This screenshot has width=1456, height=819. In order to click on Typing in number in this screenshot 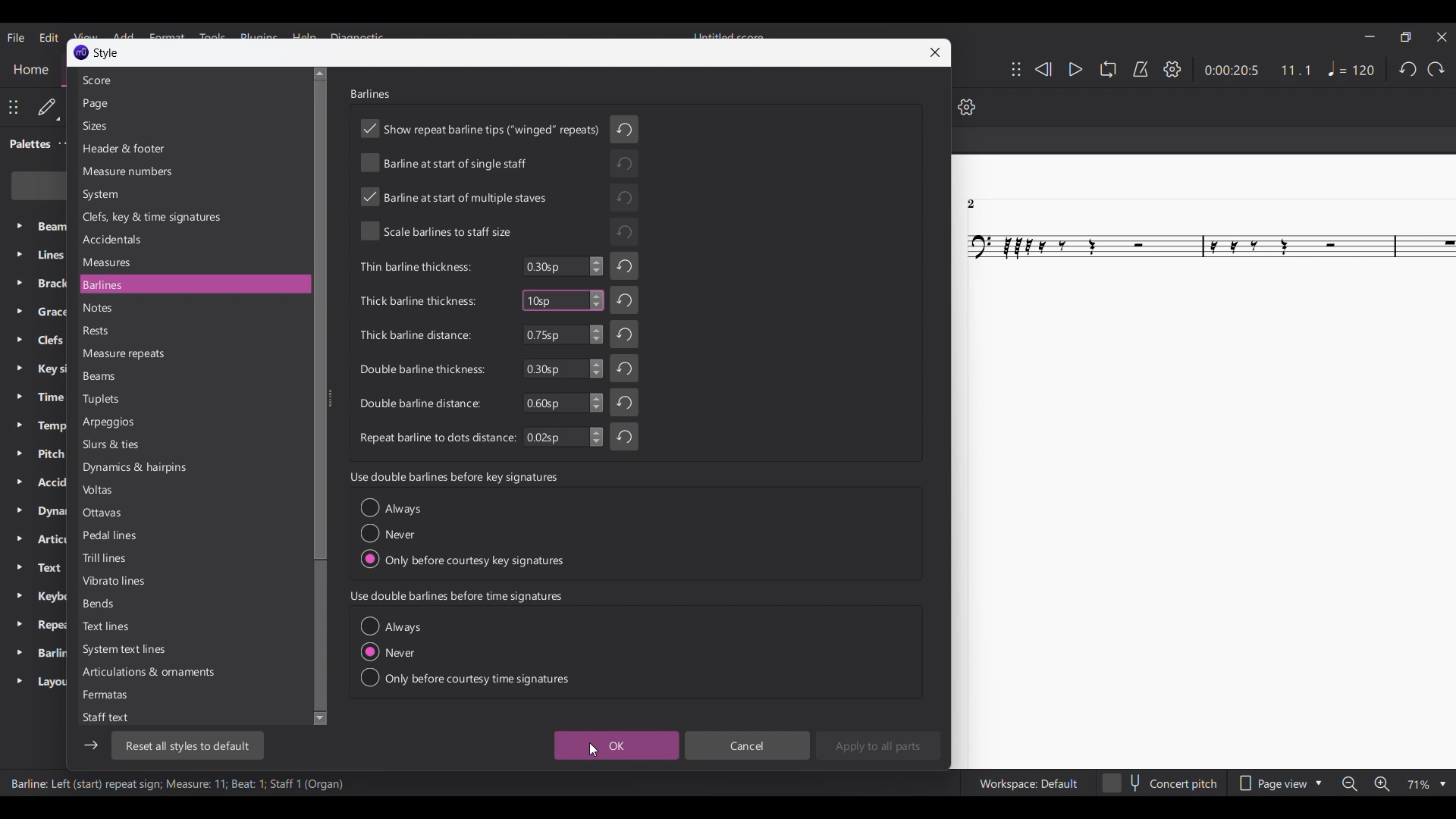, I will do `click(544, 300)`.